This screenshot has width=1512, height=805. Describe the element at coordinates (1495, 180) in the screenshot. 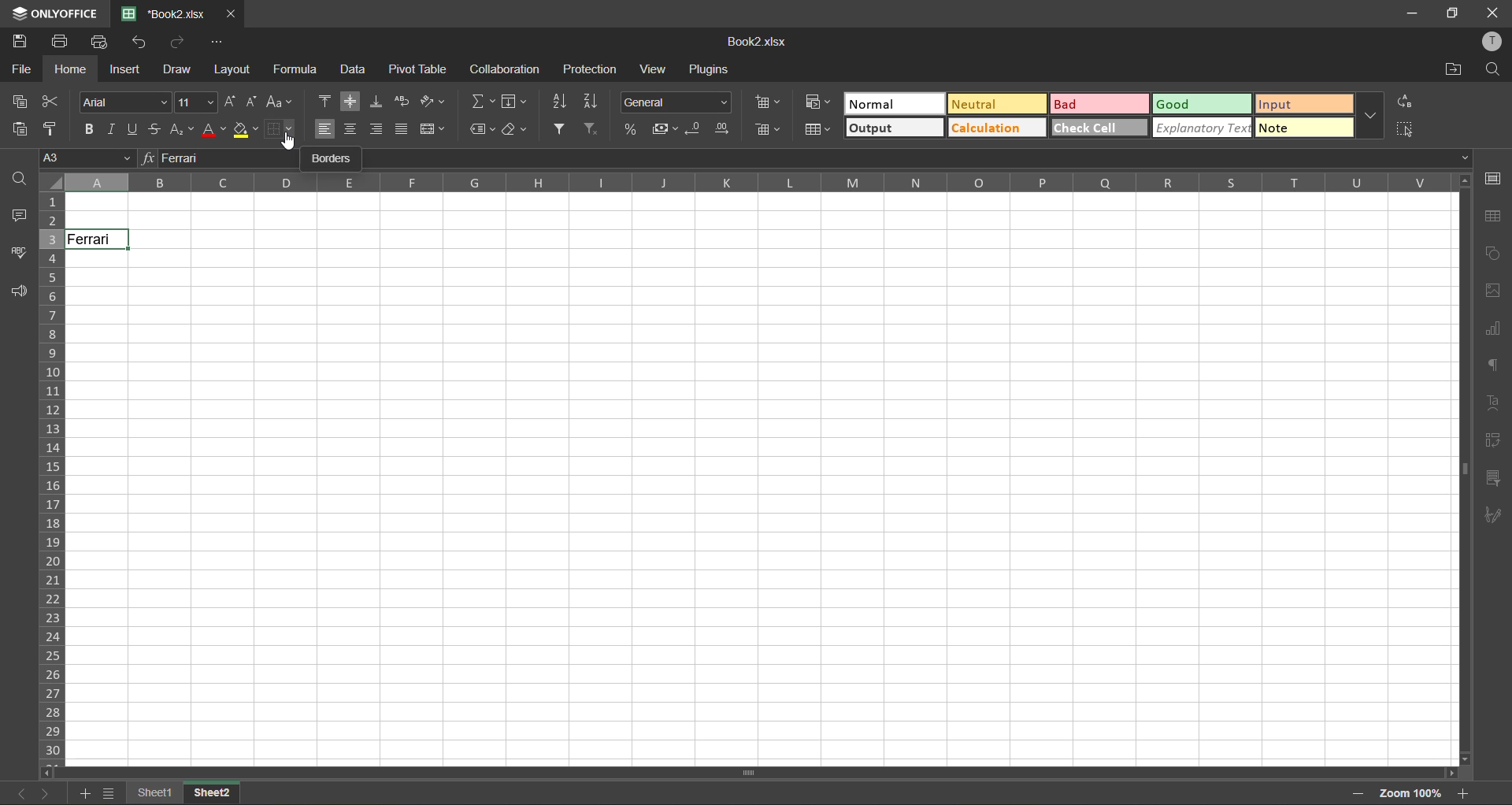

I see `cell setting` at that location.